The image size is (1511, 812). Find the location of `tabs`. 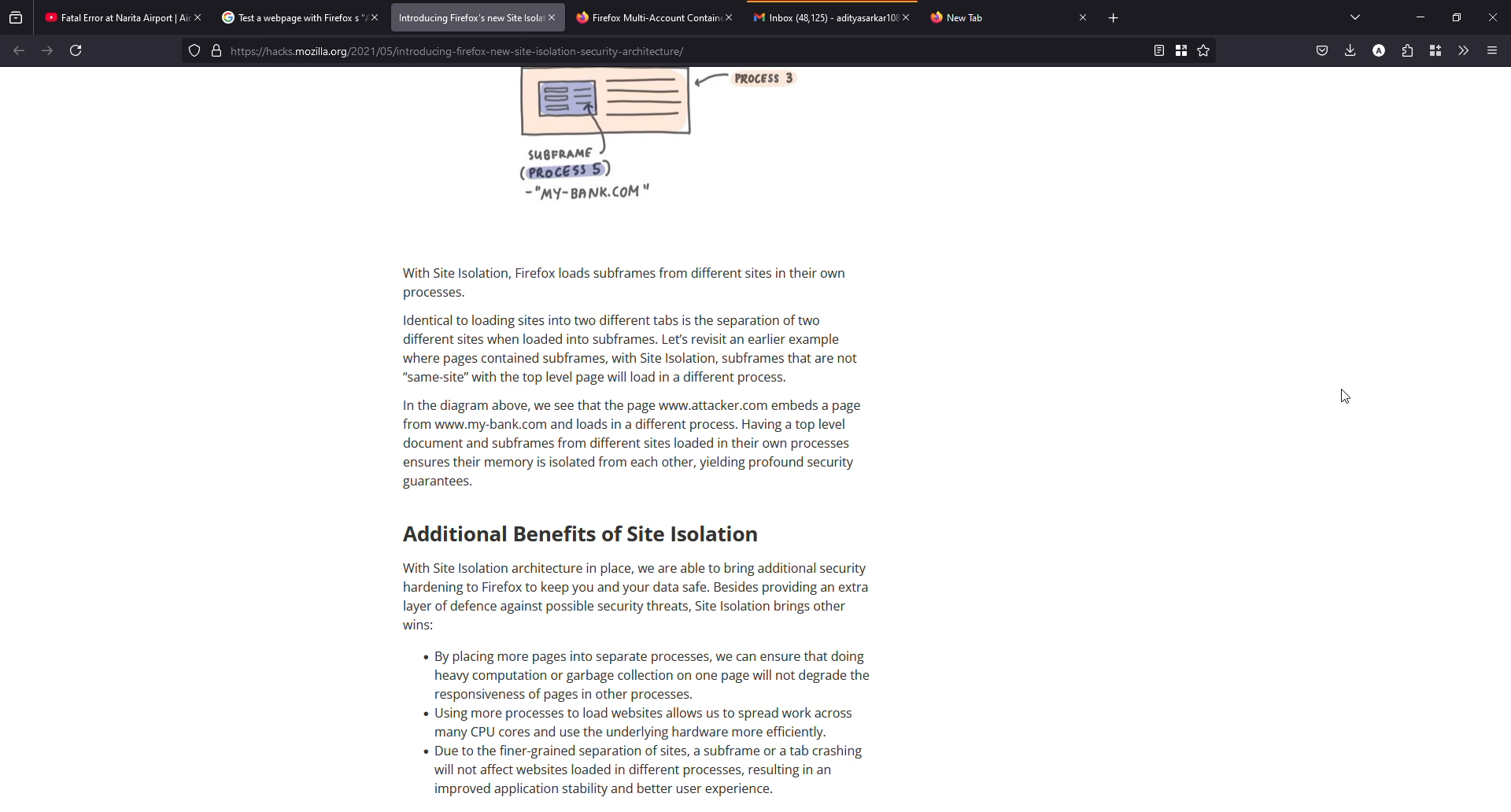

tabs is located at coordinates (1356, 17).